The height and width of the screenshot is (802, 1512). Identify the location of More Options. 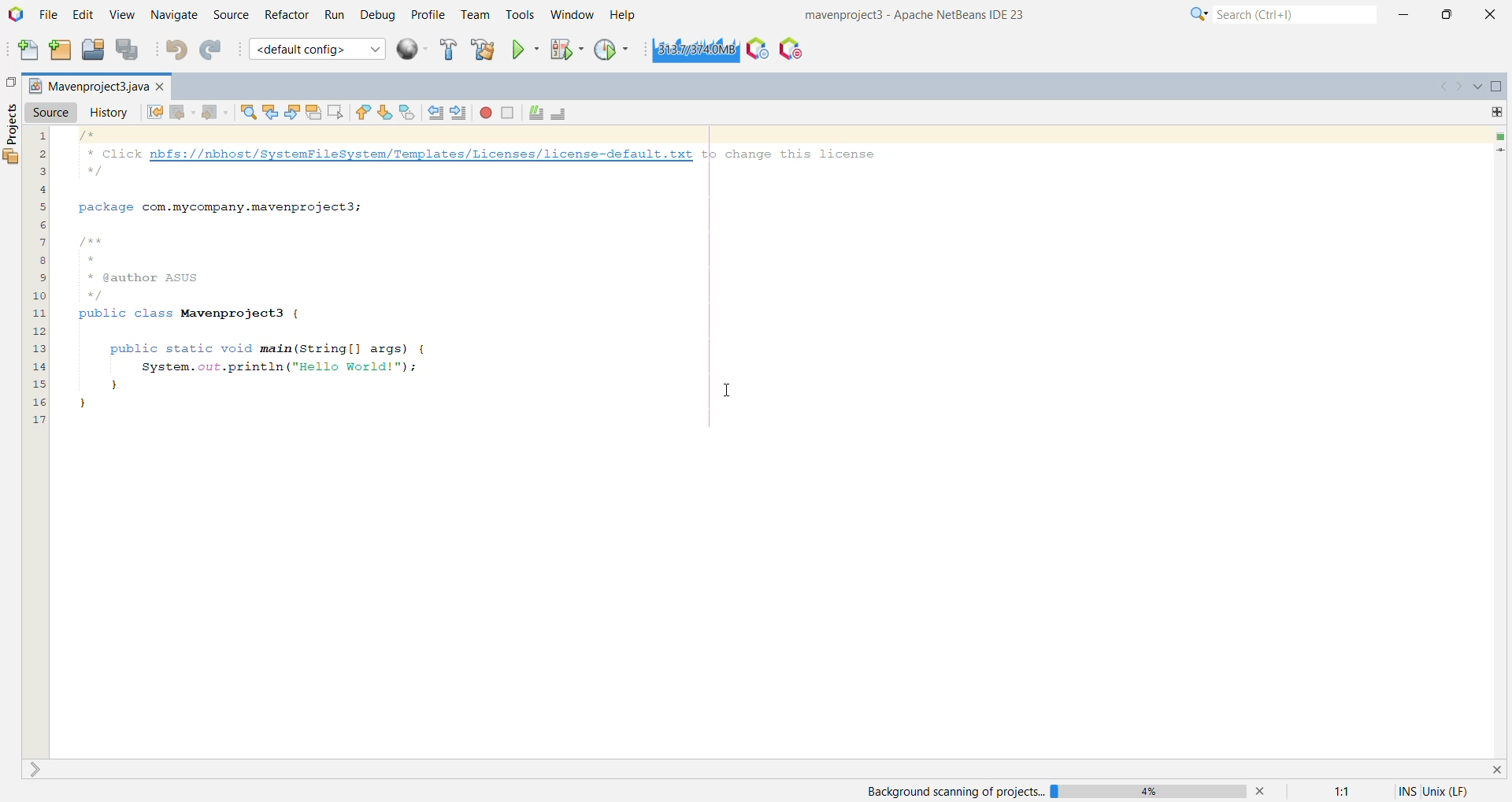
(1197, 17).